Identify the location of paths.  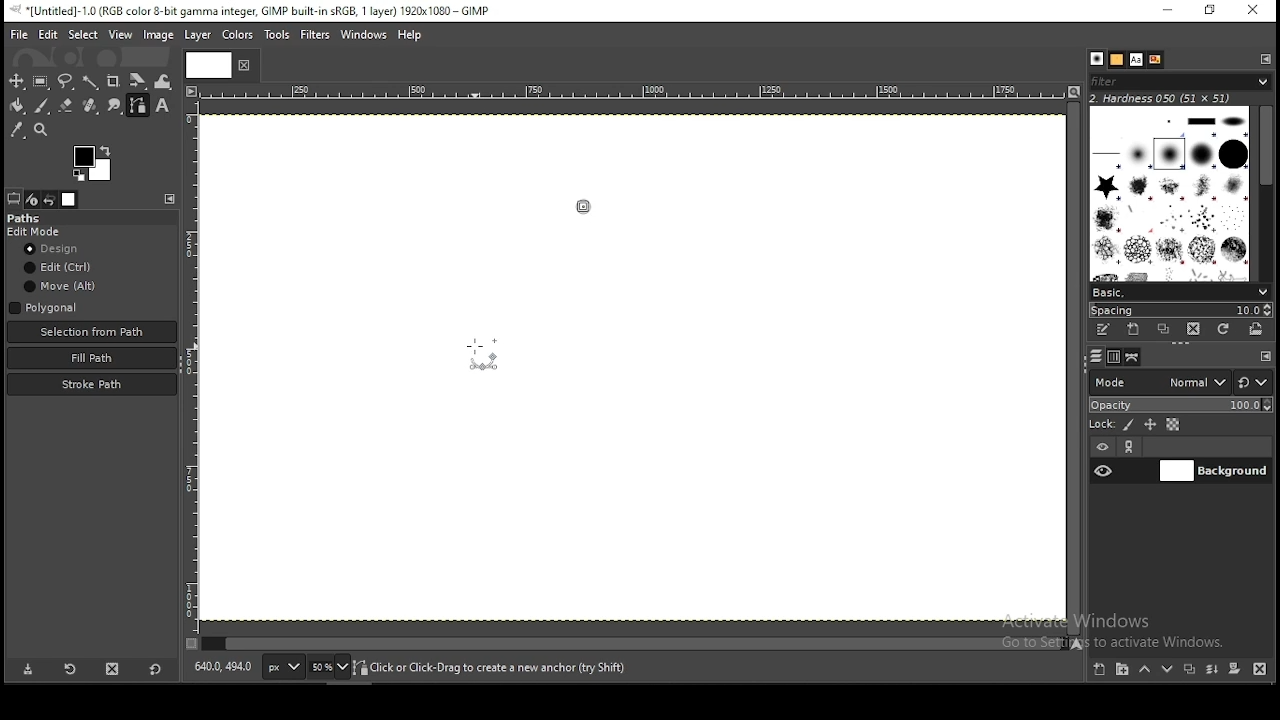
(1133, 357).